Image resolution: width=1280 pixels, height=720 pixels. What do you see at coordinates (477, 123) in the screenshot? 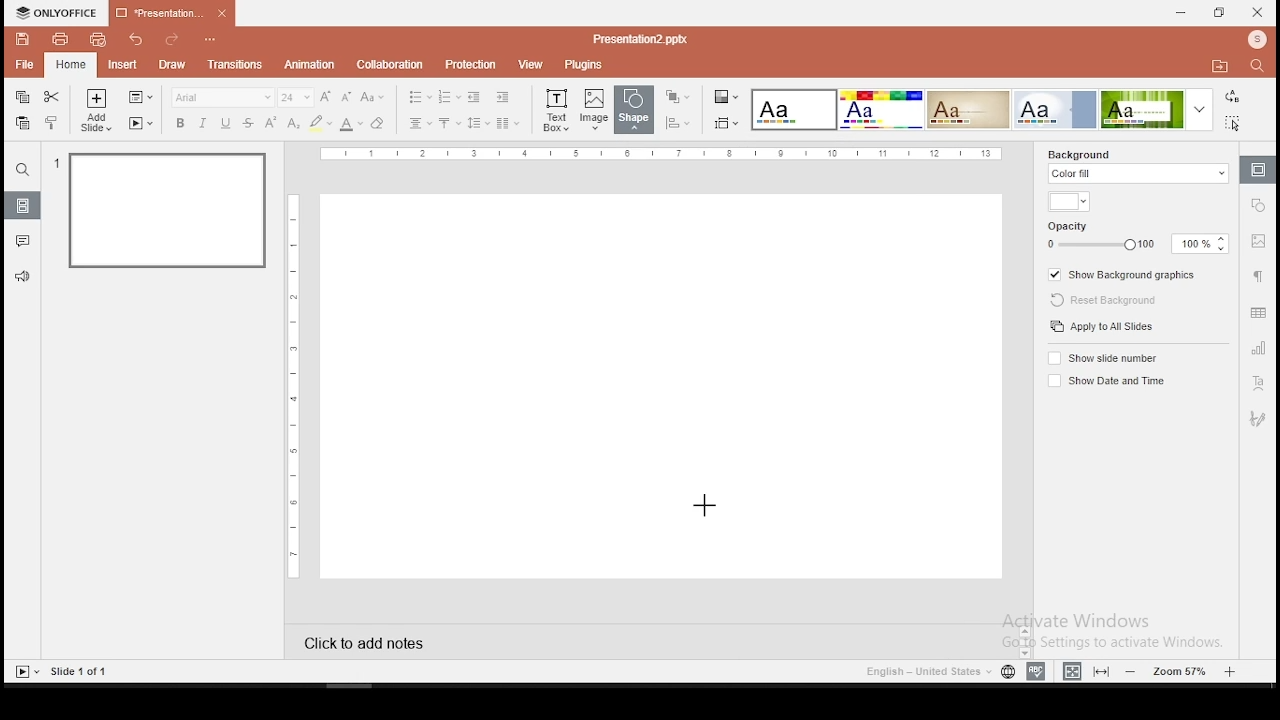
I see `spacing` at bounding box center [477, 123].